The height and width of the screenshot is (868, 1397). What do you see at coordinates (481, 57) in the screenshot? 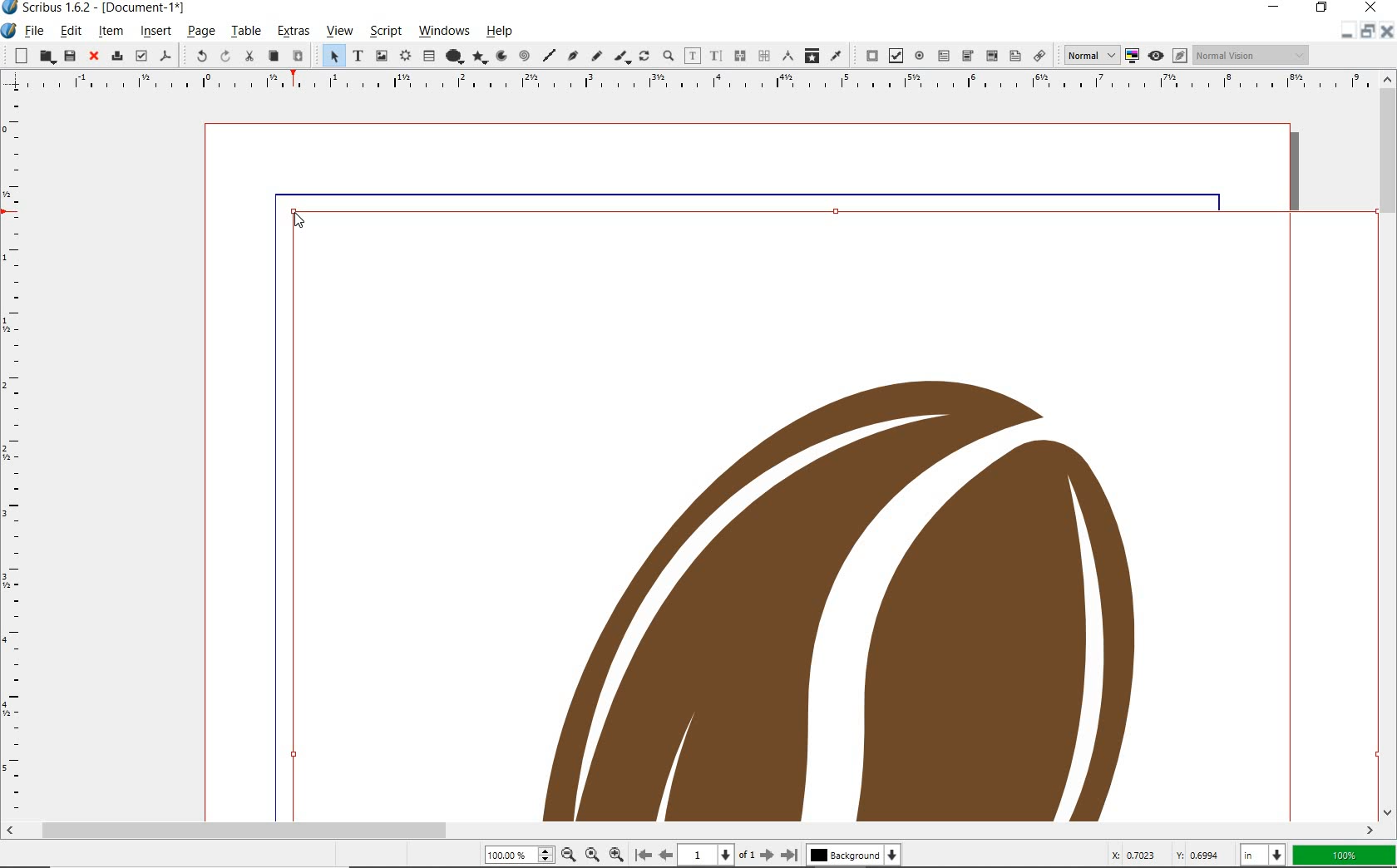
I see `polygon` at bounding box center [481, 57].